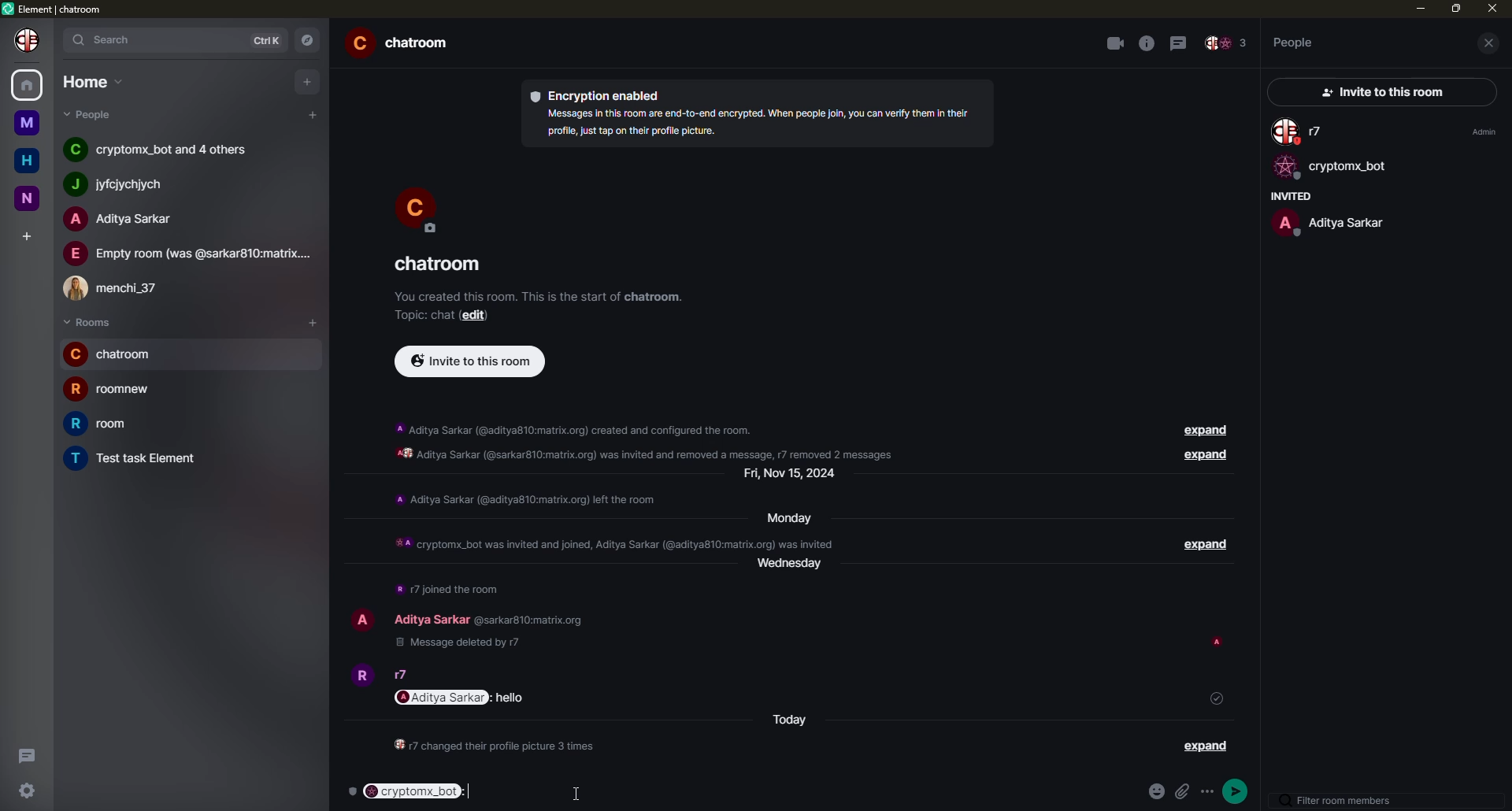 The height and width of the screenshot is (811, 1512). What do you see at coordinates (601, 94) in the screenshot?
I see `encryption enabled` at bounding box center [601, 94].